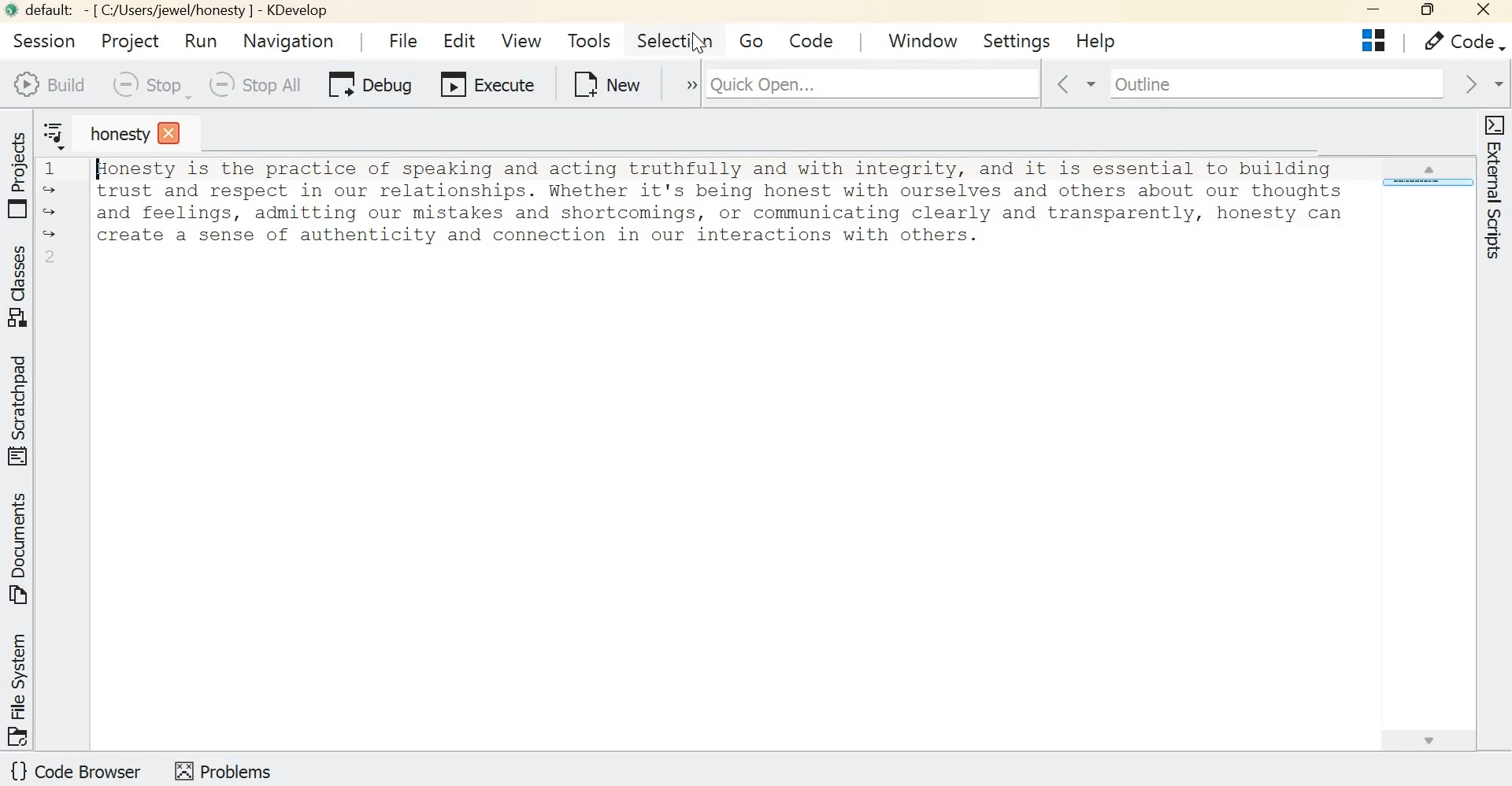 The width and height of the screenshot is (1512, 786). Describe the element at coordinates (1097, 43) in the screenshot. I see `Help` at that location.